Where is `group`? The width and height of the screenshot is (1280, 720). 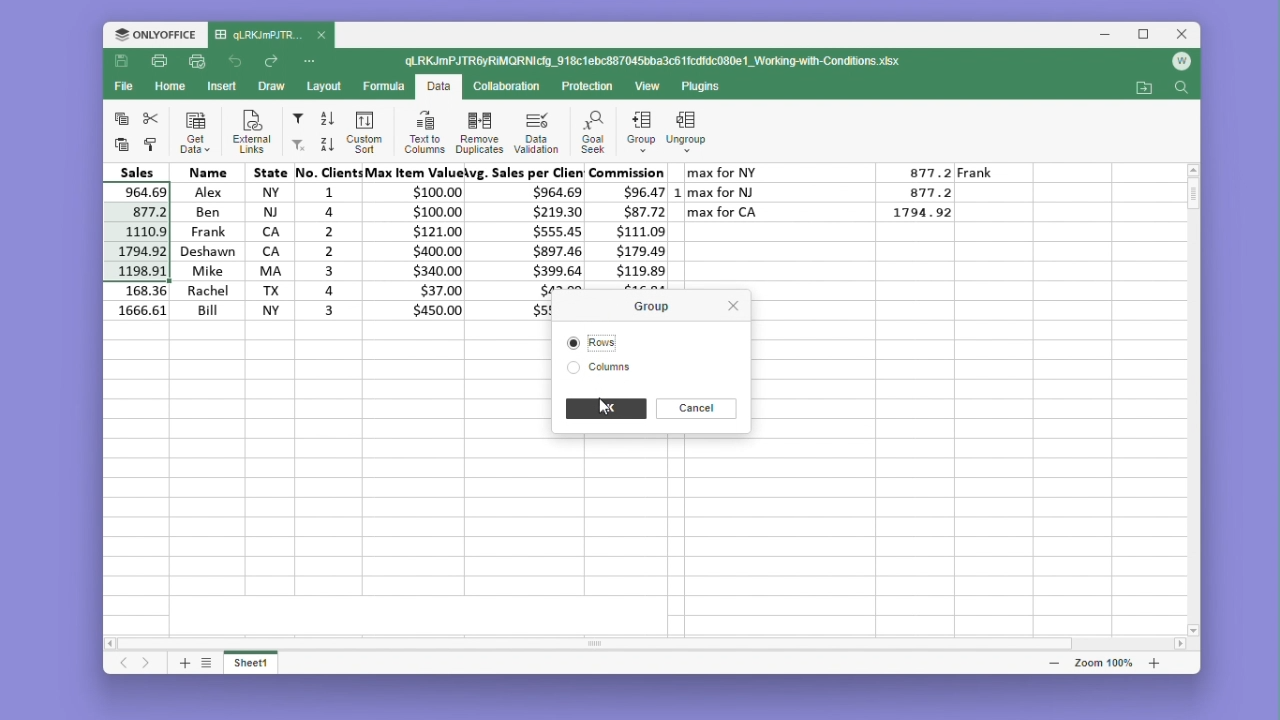 group is located at coordinates (658, 306).